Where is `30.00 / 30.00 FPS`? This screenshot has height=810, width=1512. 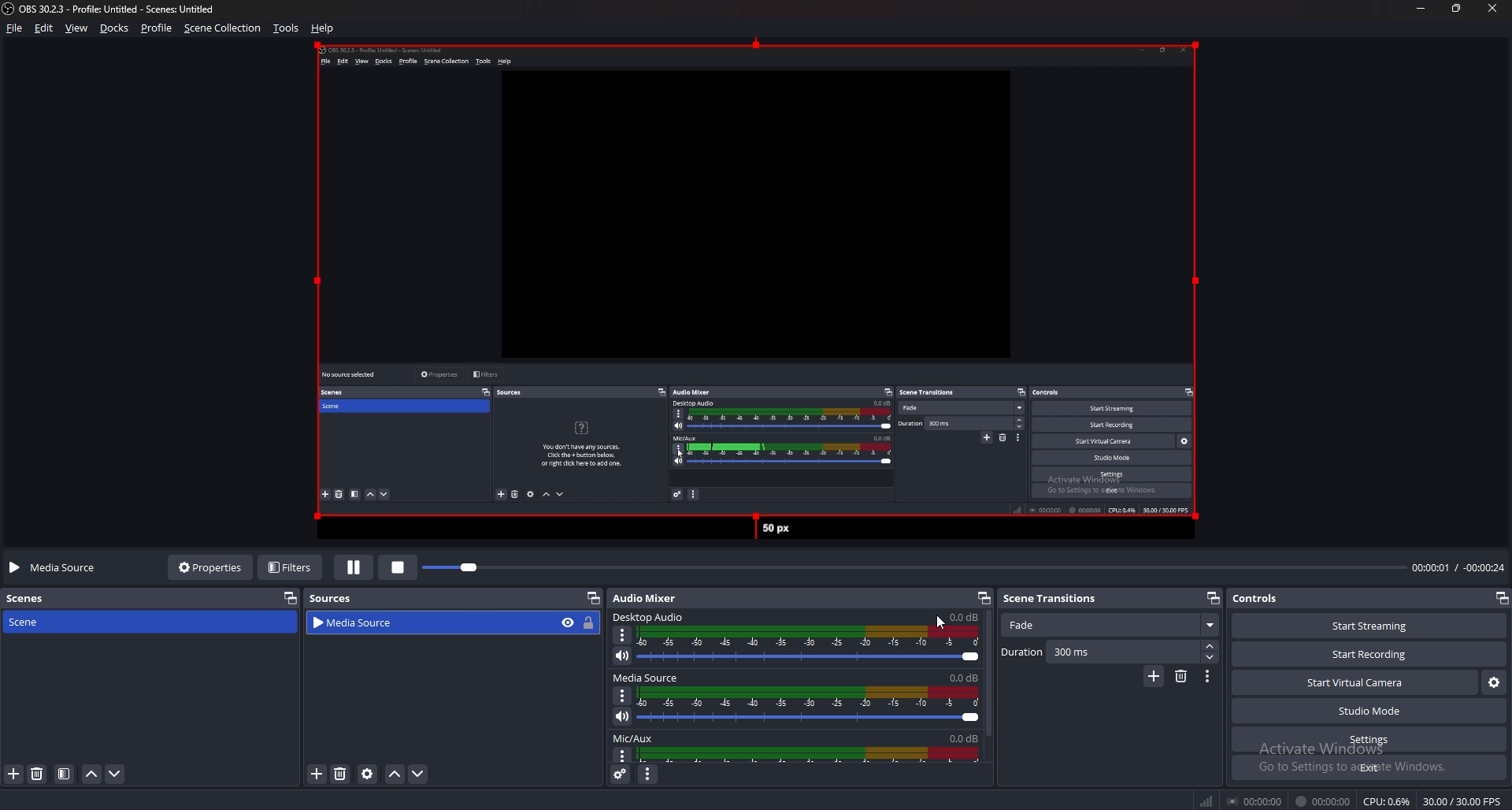 30.00 / 30.00 FPS is located at coordinates (1462, 801).